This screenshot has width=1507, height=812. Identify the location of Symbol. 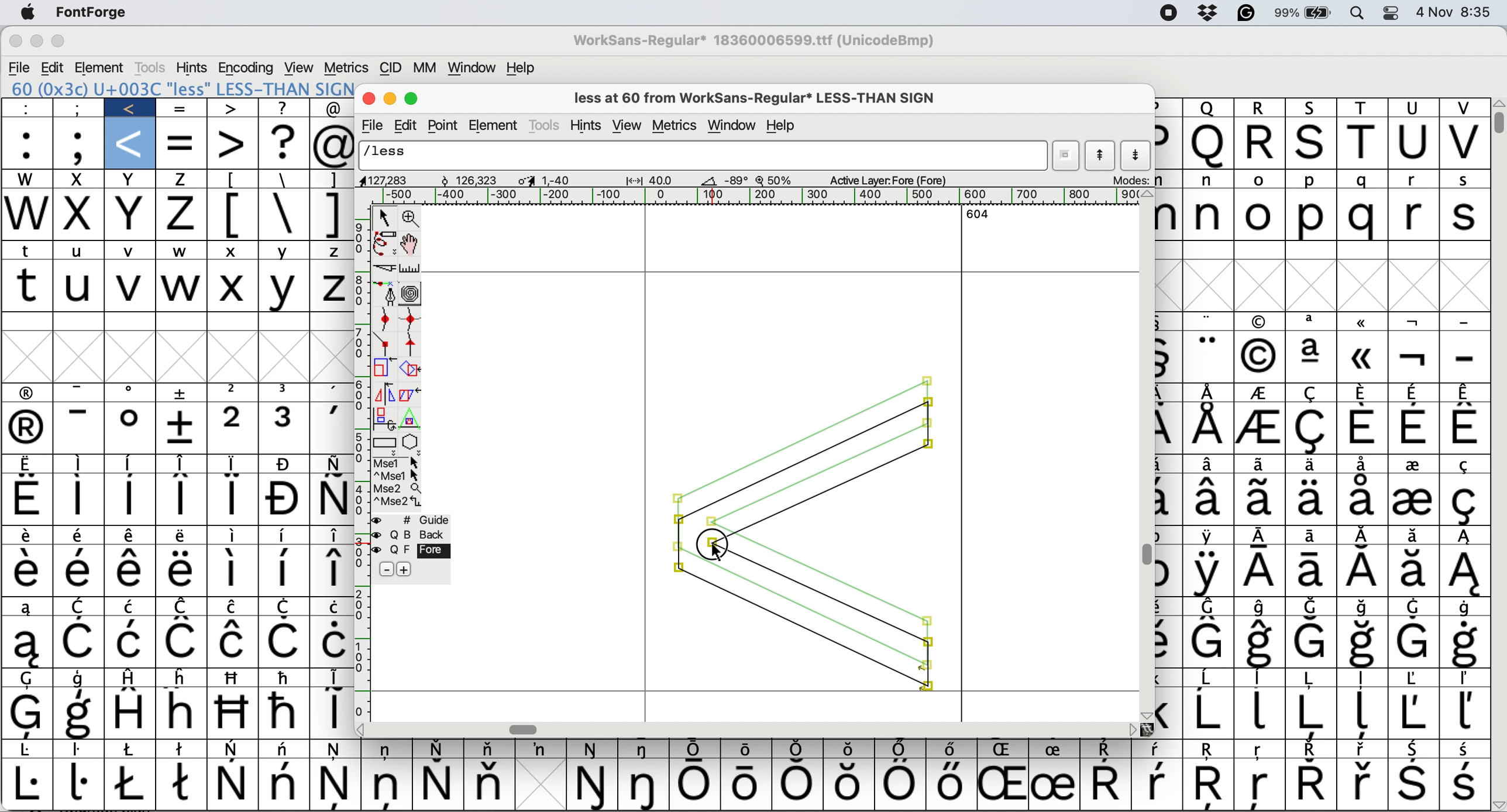
(1305, 751).